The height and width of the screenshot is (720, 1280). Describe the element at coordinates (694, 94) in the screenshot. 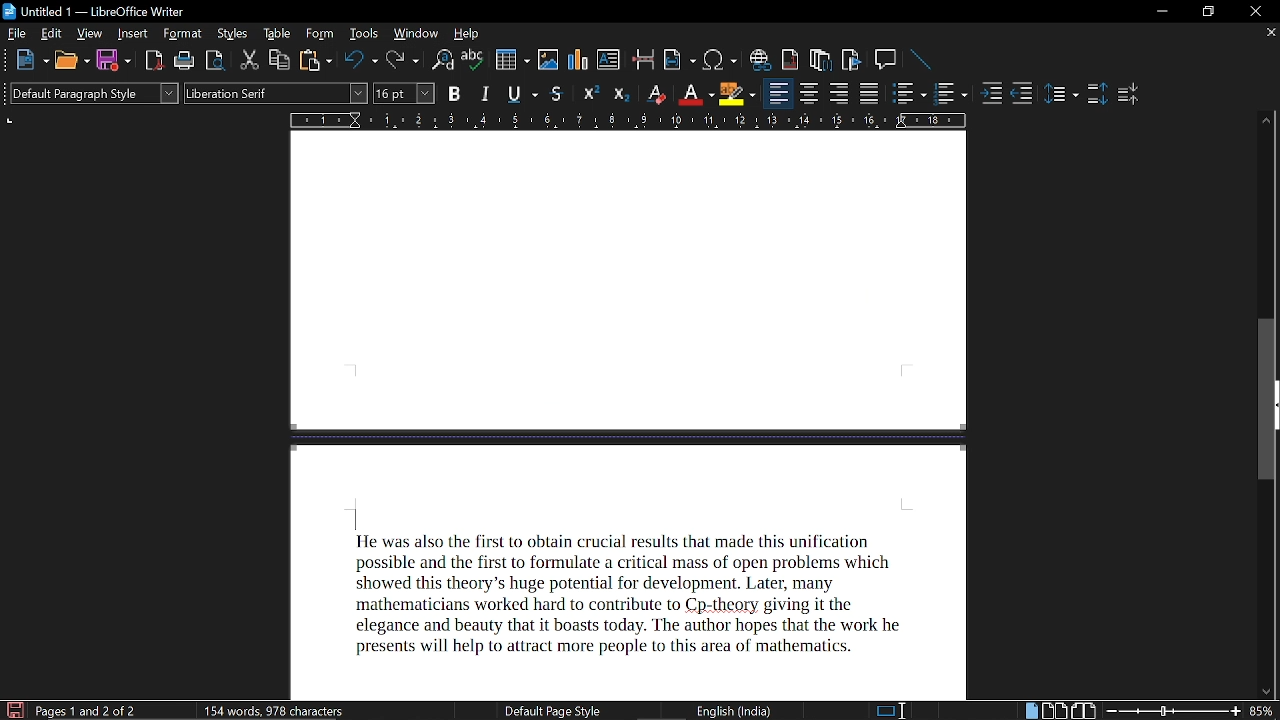

I see `Underline` at that location.